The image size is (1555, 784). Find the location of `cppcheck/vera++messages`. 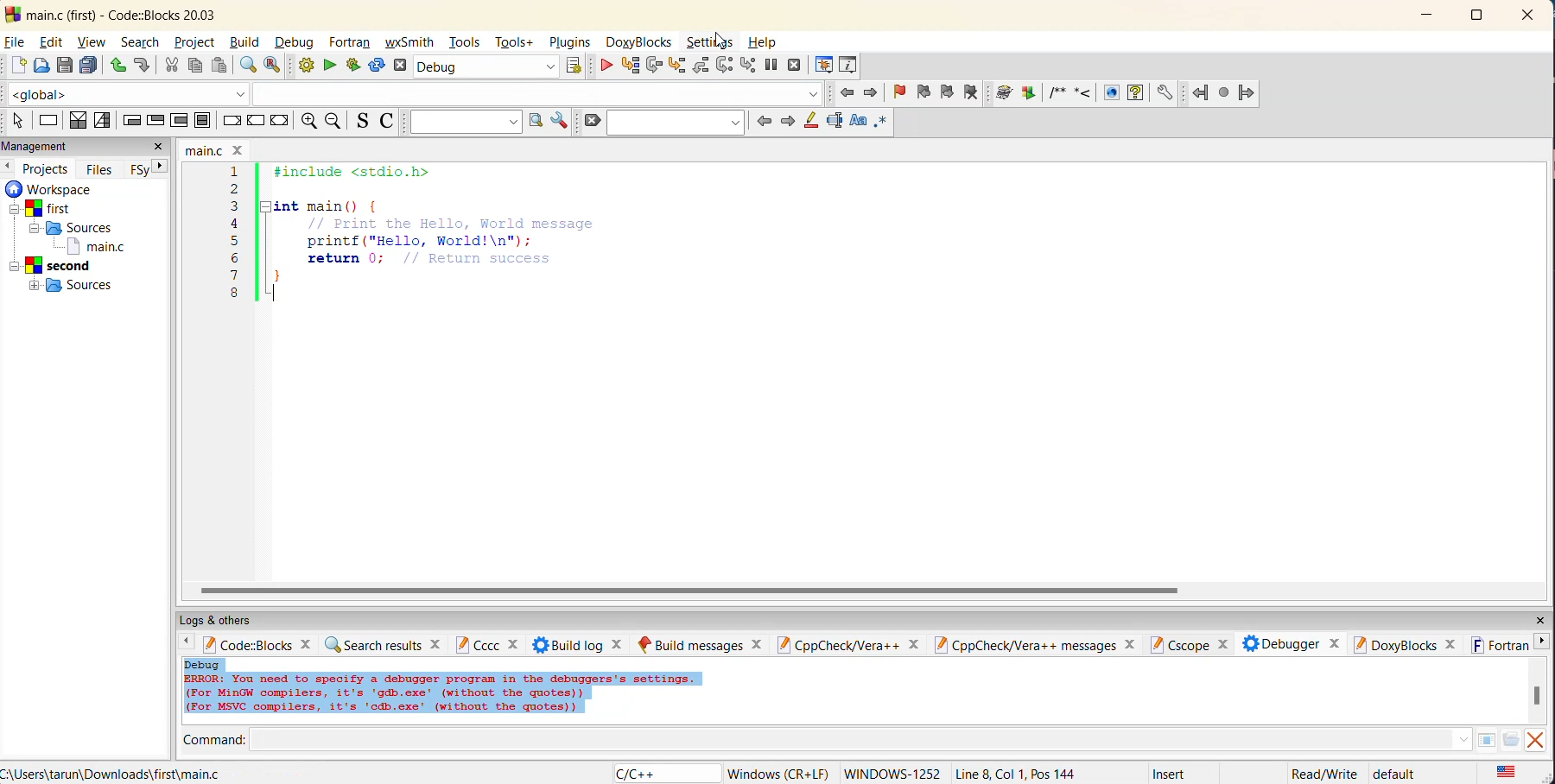

cppcheck/vera++messages is located at coordinates (1037, 645).